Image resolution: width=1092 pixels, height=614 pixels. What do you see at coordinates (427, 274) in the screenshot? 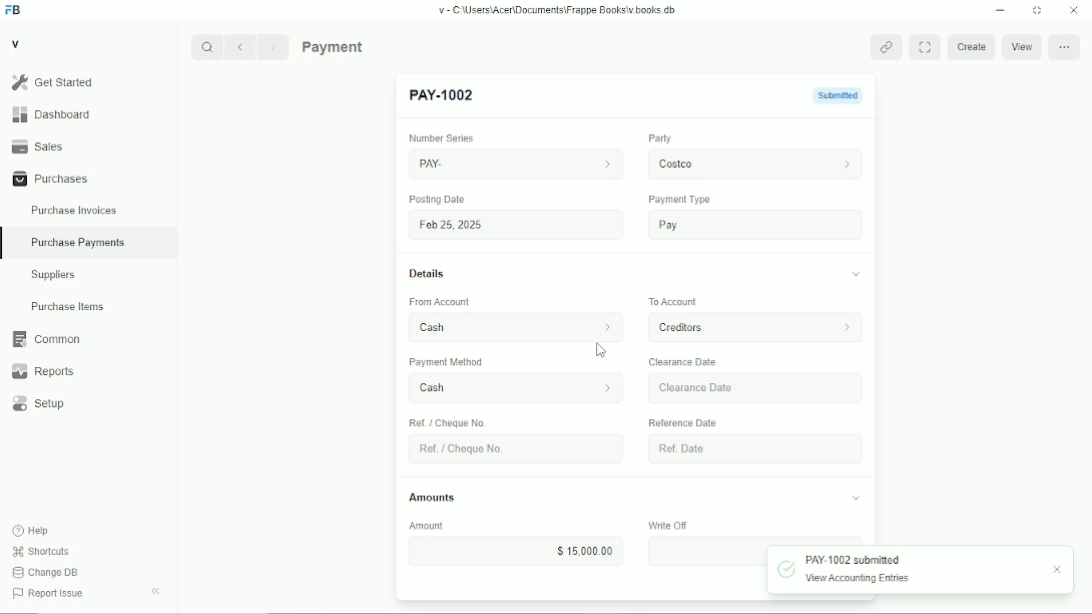
I see `Details` at bounding box center [427, 274].